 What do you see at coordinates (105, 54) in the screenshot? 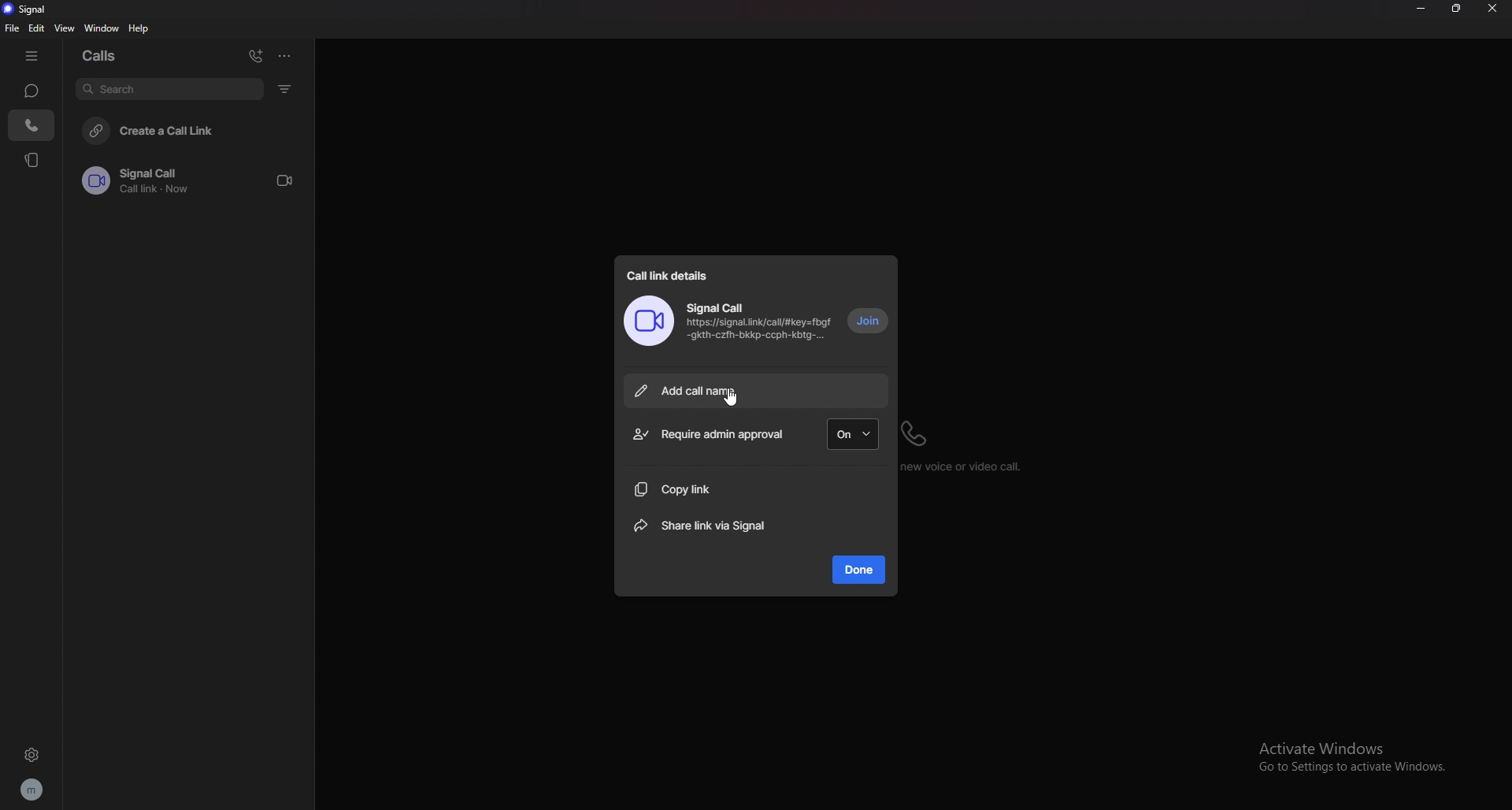
I see `calls` at bounding box center [105, 54].